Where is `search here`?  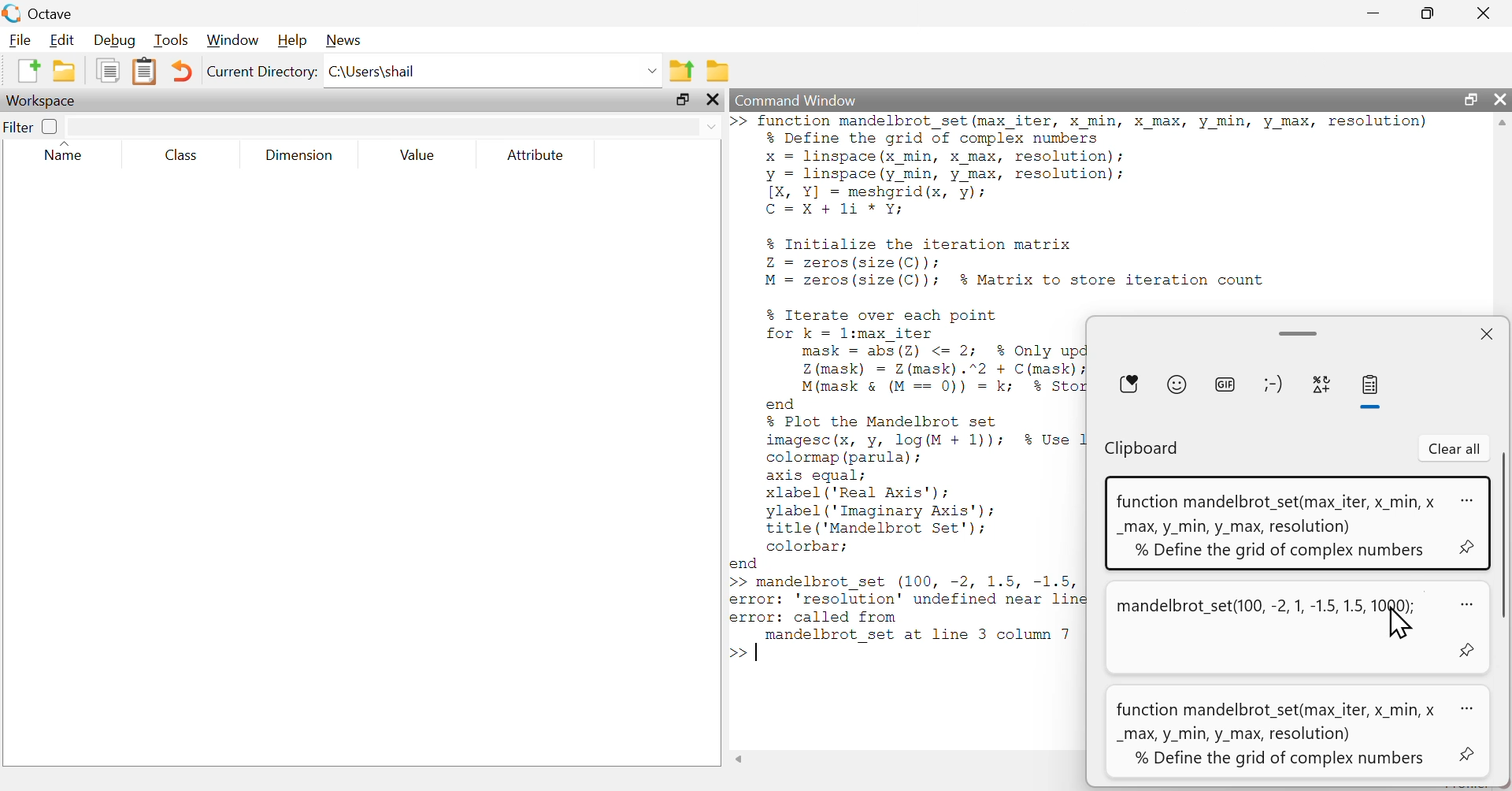
search here is located at coordinates (395, 124).